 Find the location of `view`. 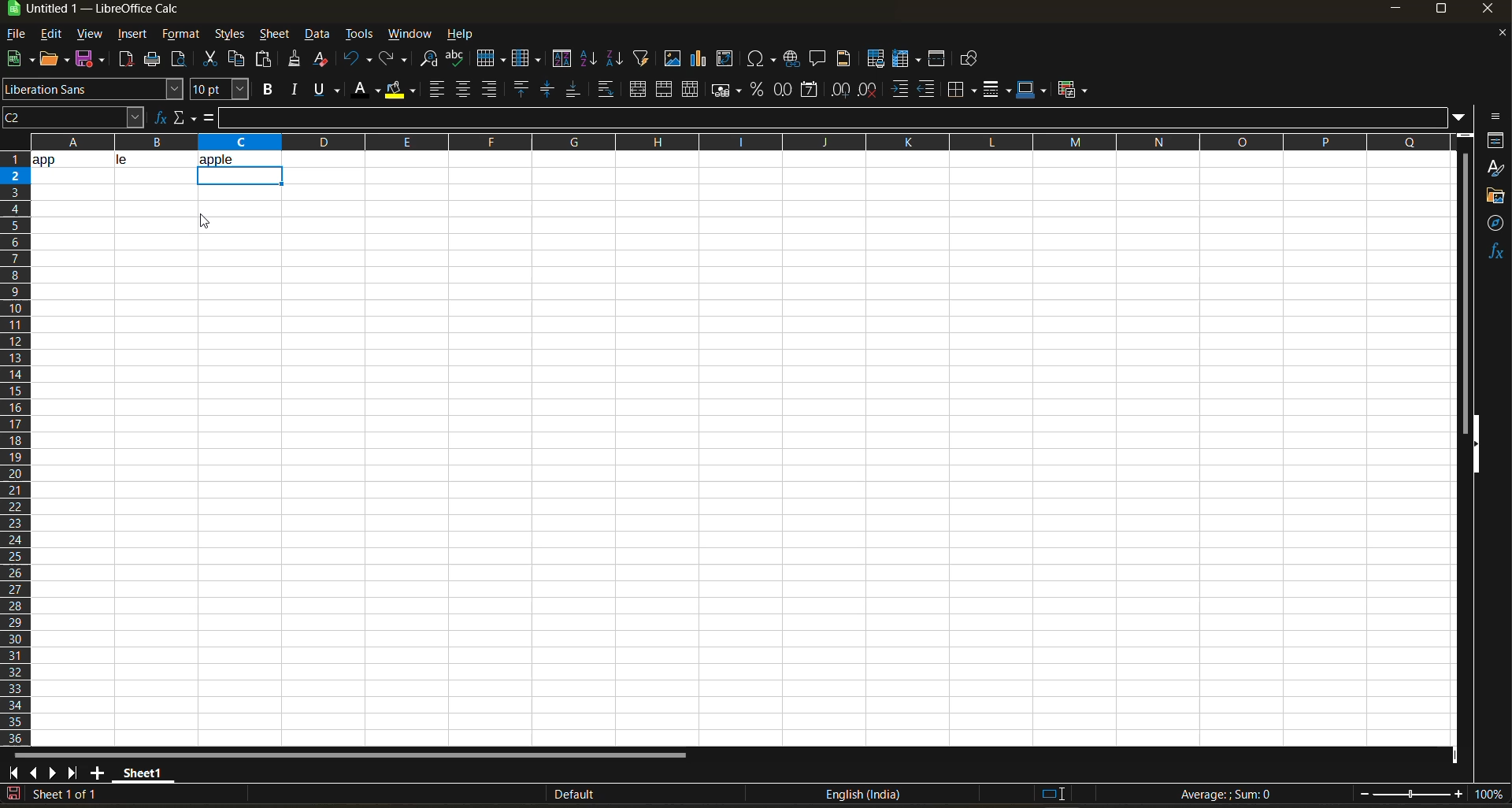

view is located at coordinates (89, 35).